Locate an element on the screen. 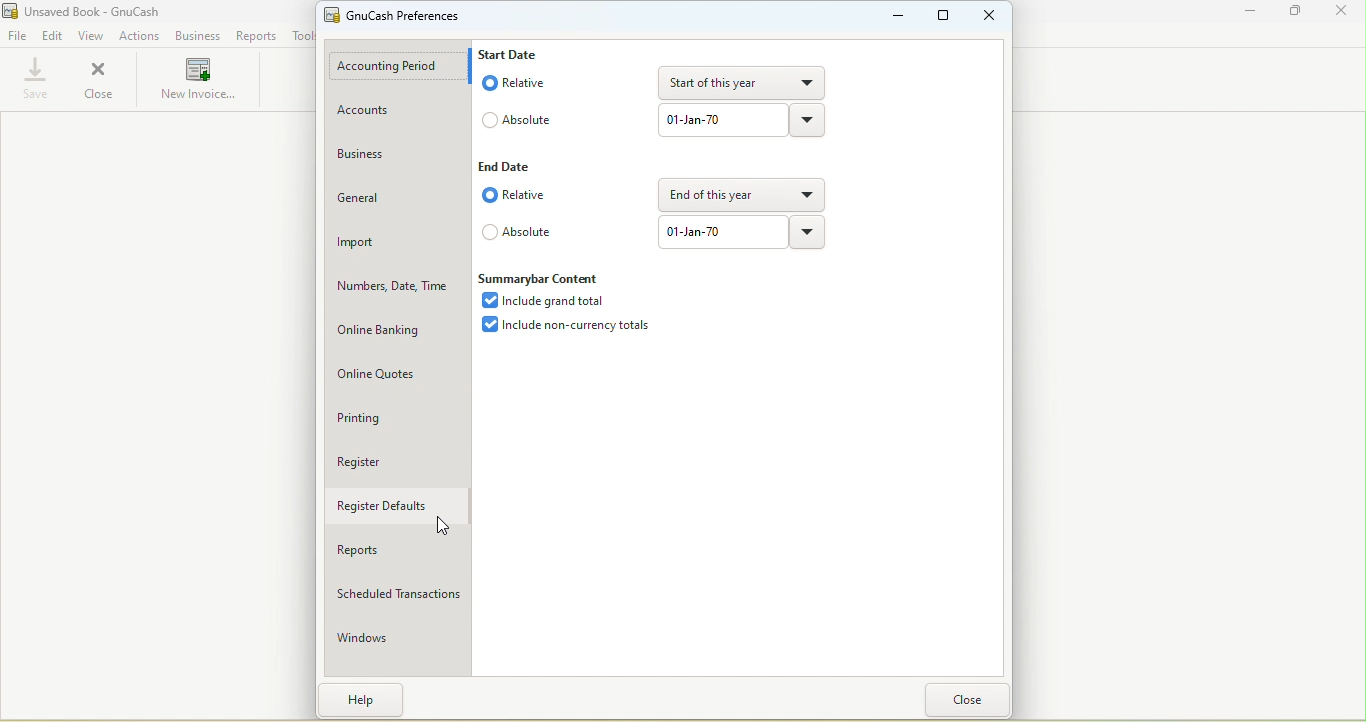  Save is located at coordinates (31, 80).